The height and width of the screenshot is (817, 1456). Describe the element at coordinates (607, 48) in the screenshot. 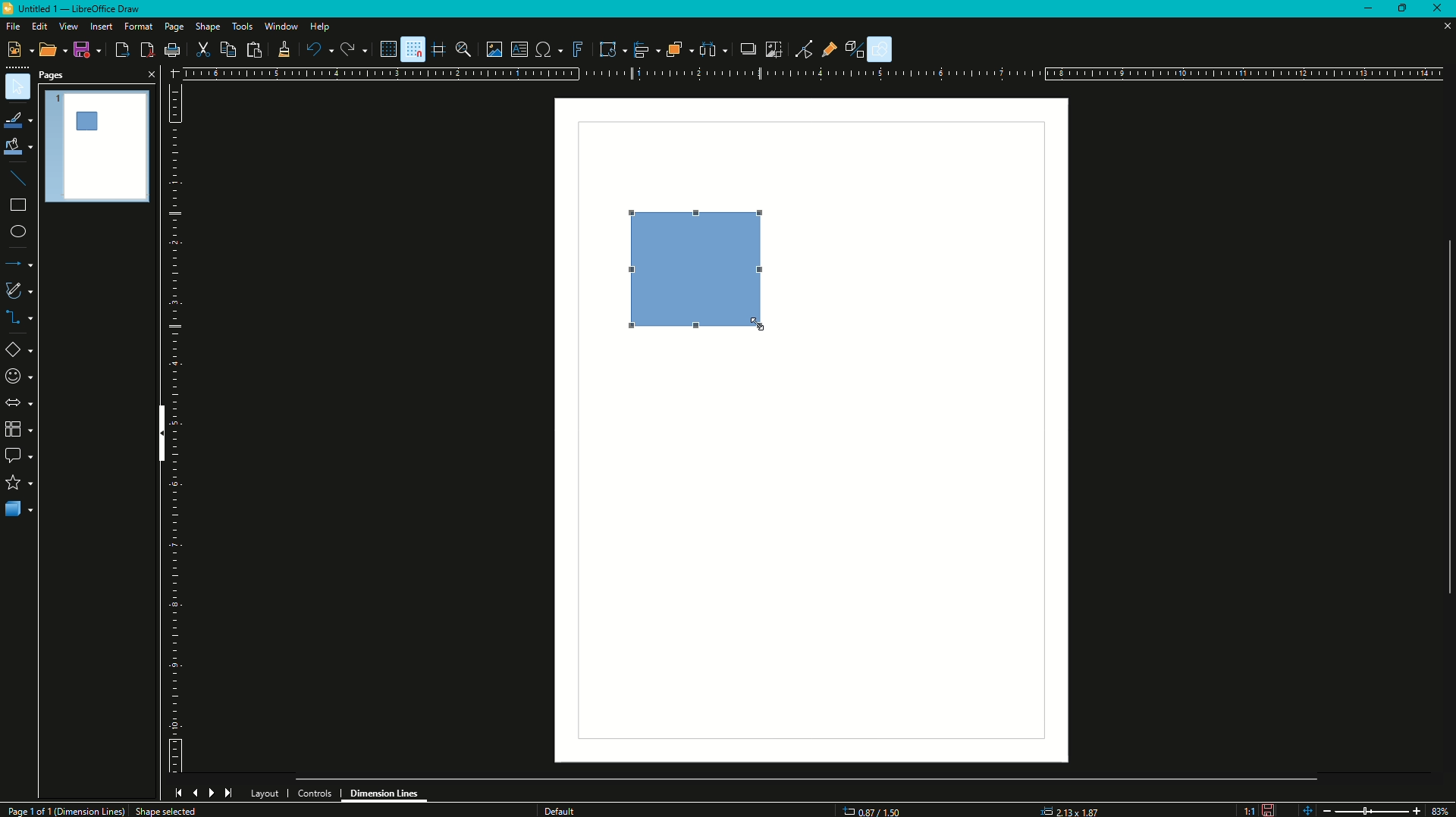

I see `Transformations` at that location.